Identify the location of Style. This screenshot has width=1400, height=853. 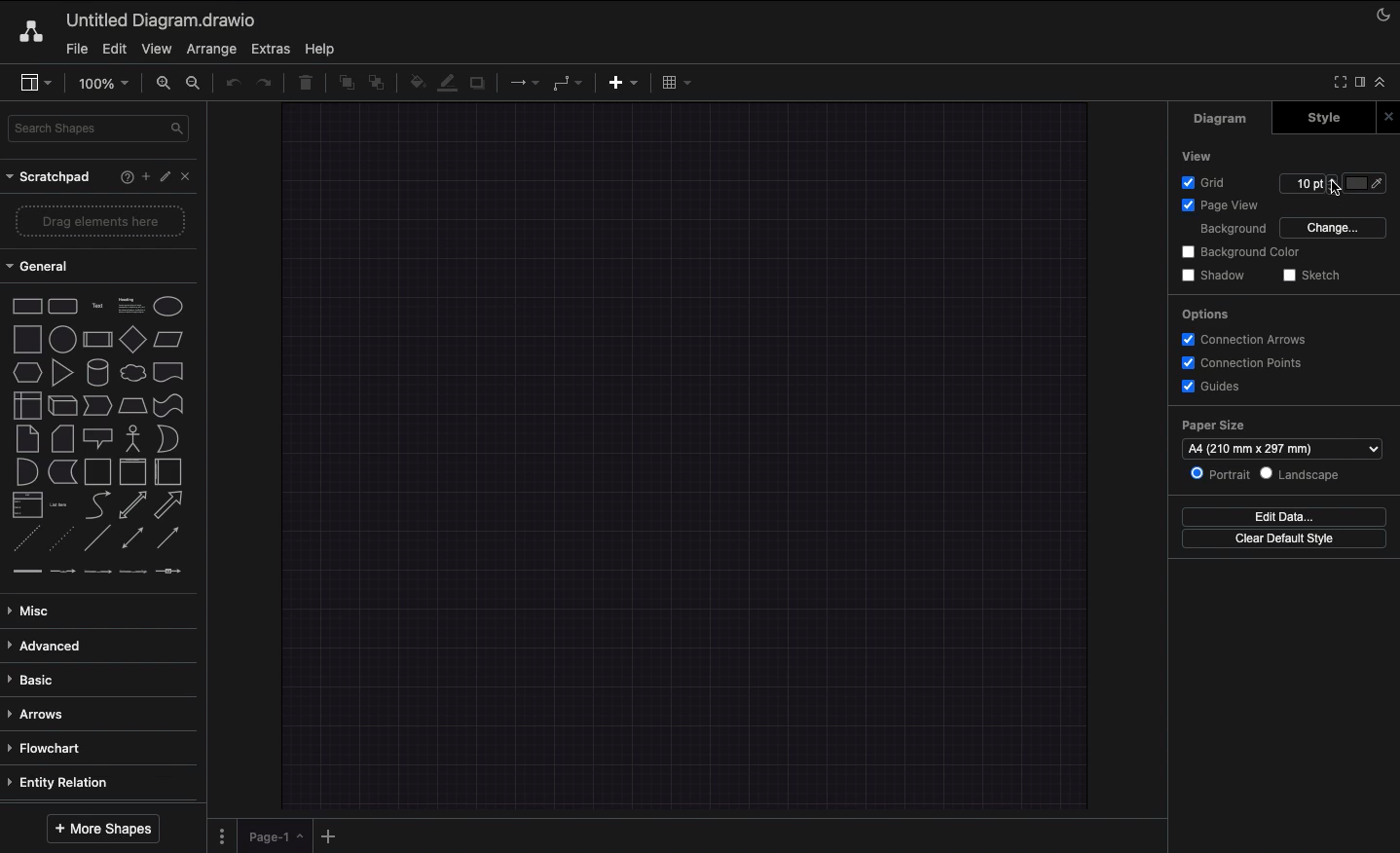
(1315, 119).